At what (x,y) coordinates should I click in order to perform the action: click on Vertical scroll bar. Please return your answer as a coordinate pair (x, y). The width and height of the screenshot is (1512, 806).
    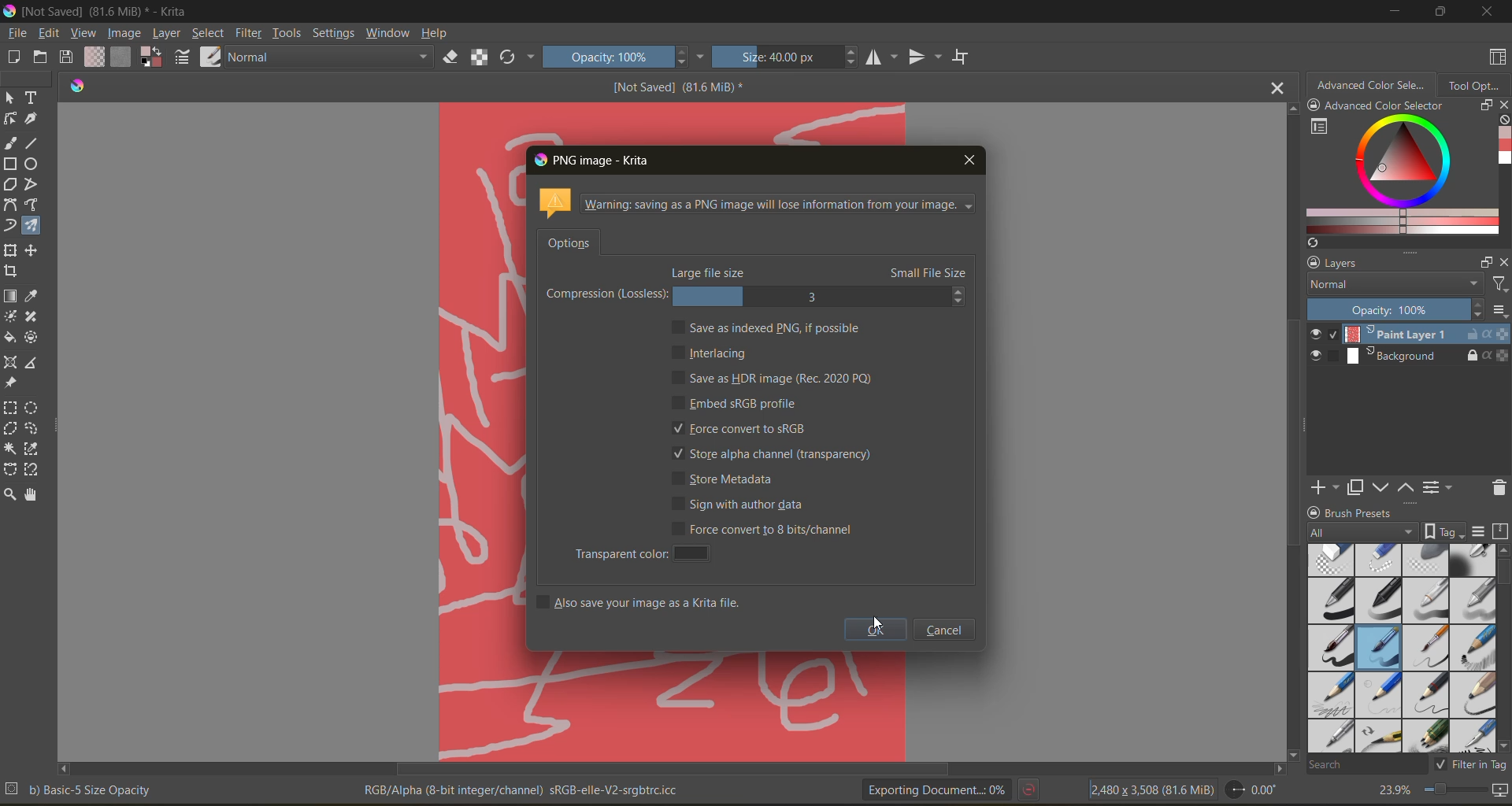
    Looking at the image, I should click on (1290, 430).